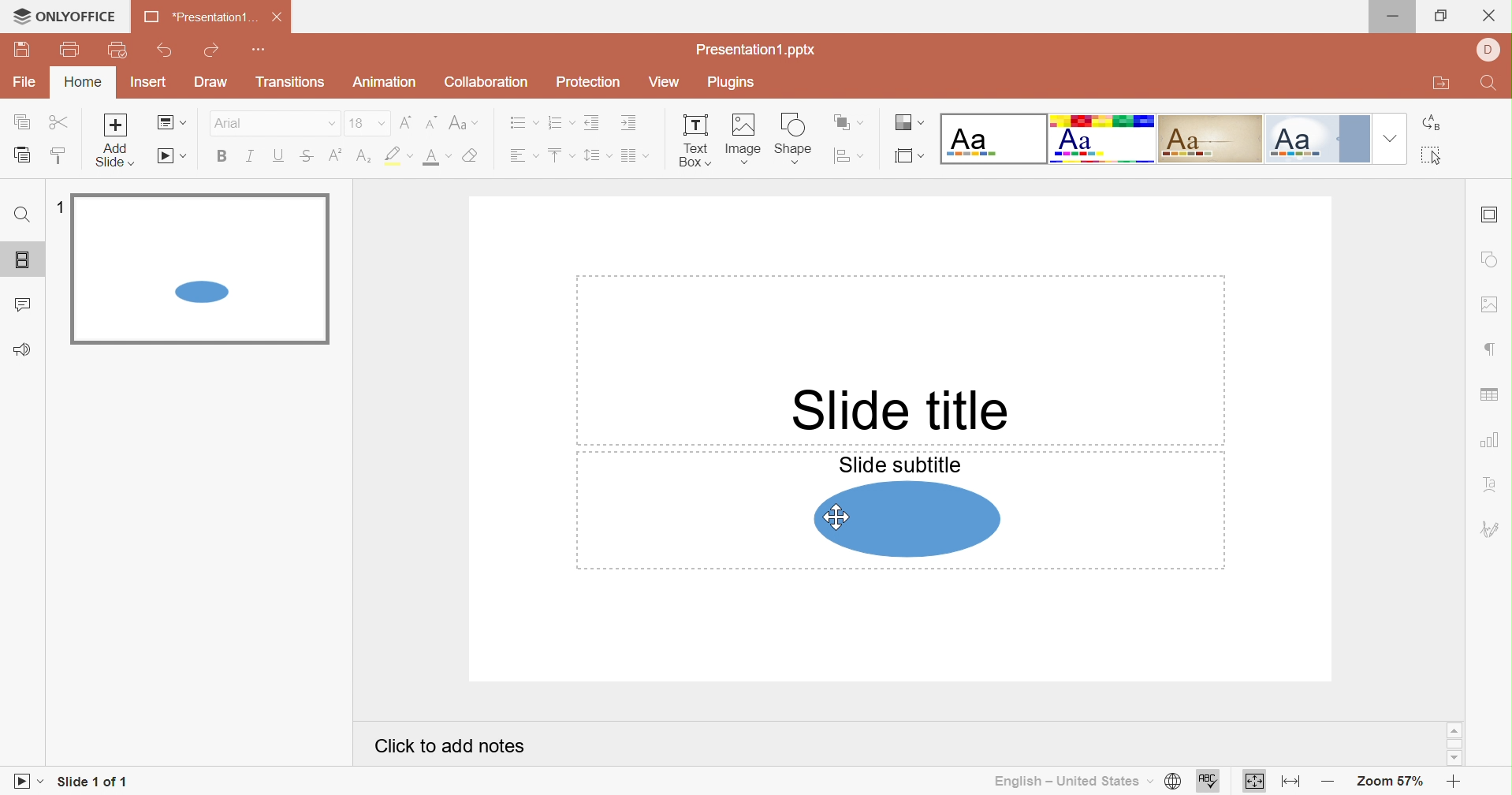 The width and height of the screenshot is (1512, 795). Describe the element at coordinates (627, 123) in the screenshot. I see `Increase Indent` at that location.